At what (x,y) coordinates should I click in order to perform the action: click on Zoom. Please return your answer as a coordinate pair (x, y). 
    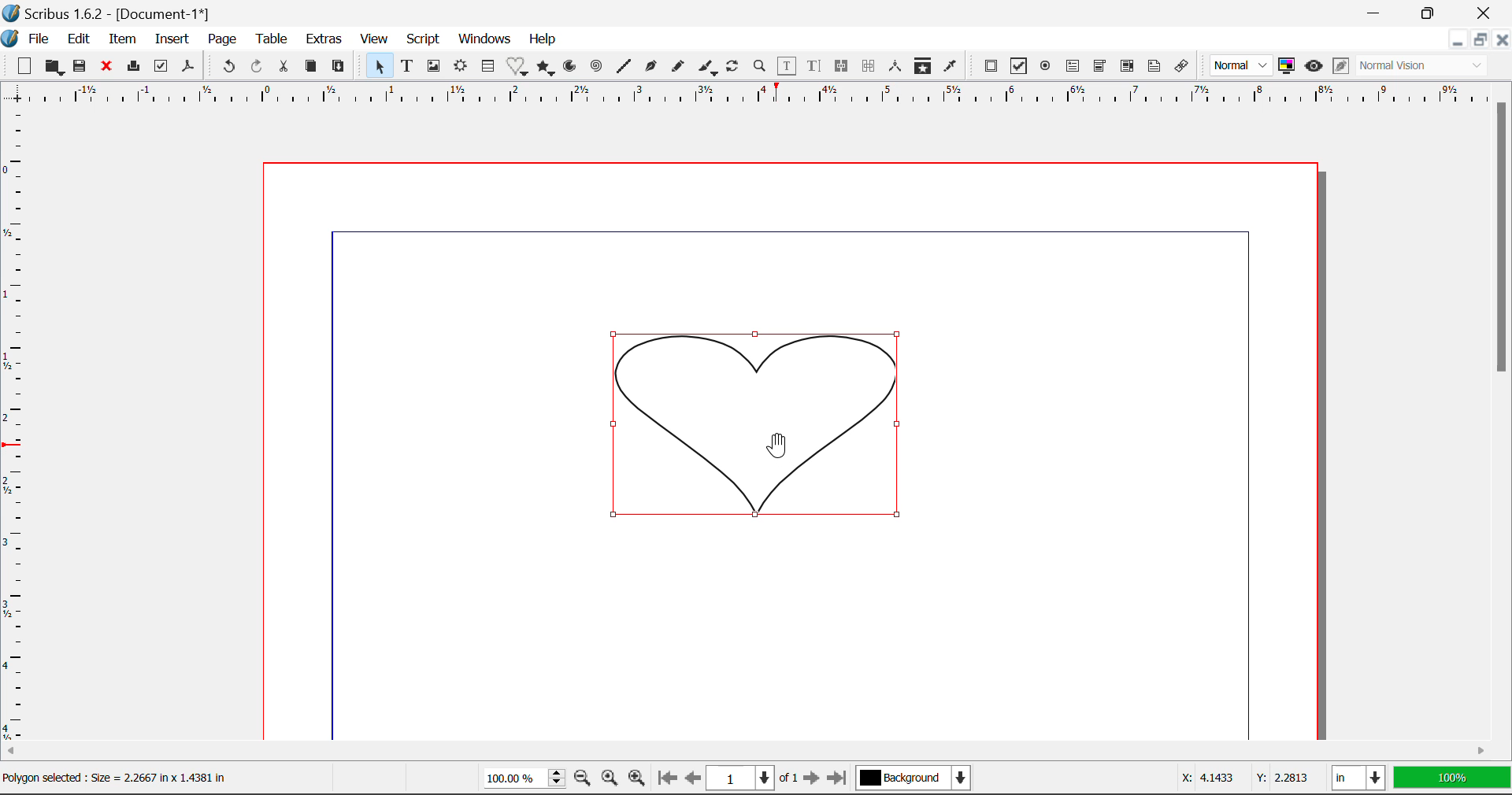
    Looking at the image, I should click on (762, 68).